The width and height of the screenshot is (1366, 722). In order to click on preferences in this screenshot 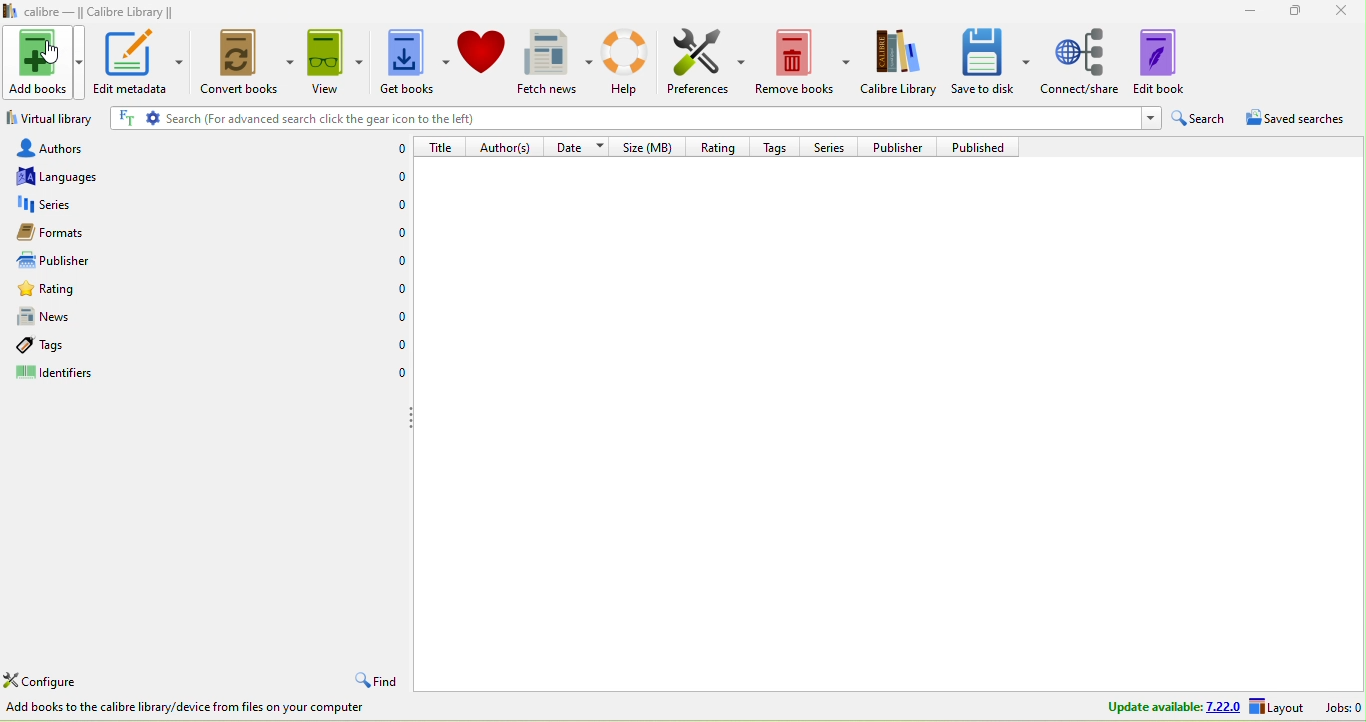, I will do `click(708, 64)`.